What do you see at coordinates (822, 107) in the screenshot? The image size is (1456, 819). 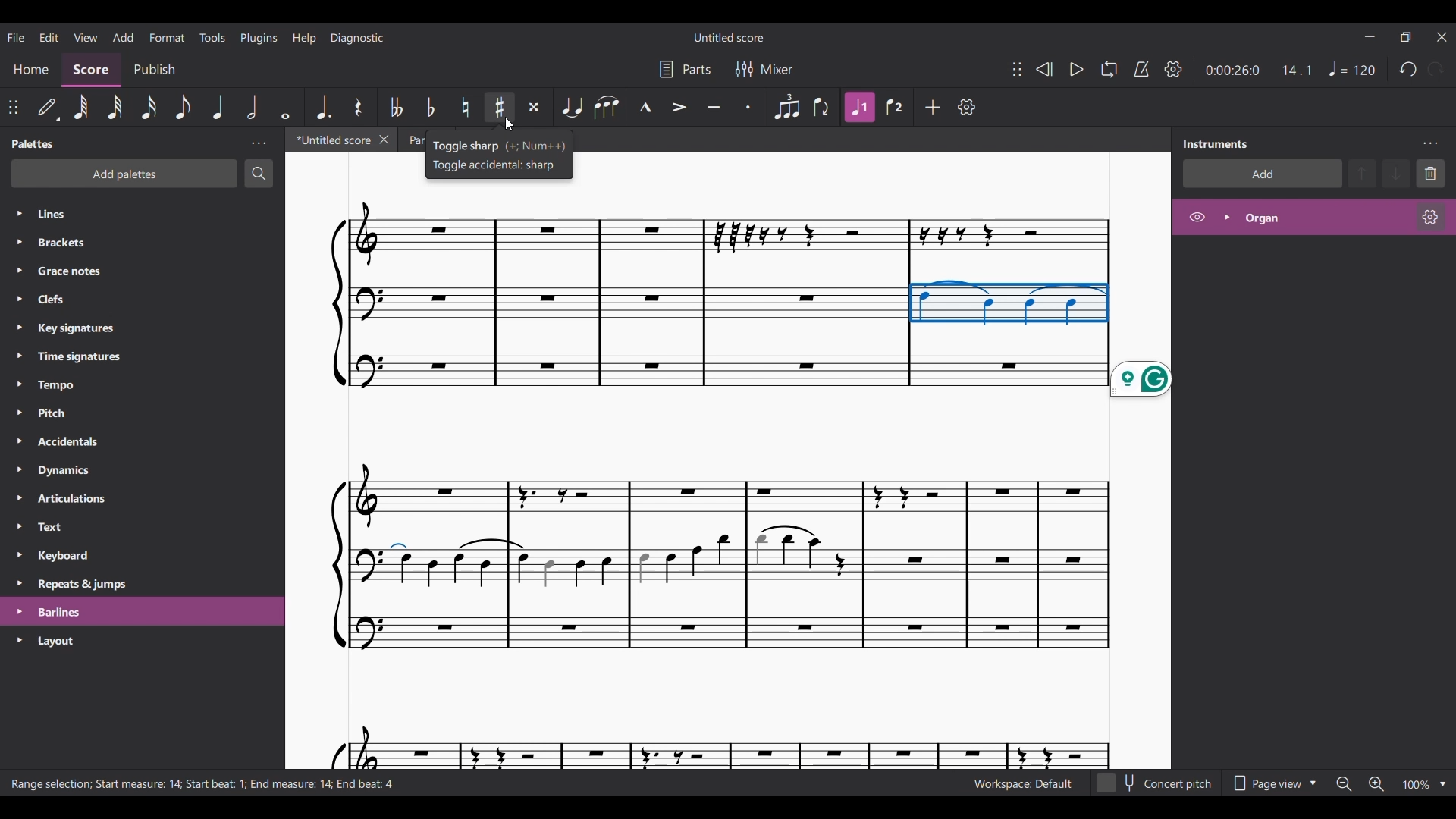 I see `Flip direction` at bounding box center [822, 107].